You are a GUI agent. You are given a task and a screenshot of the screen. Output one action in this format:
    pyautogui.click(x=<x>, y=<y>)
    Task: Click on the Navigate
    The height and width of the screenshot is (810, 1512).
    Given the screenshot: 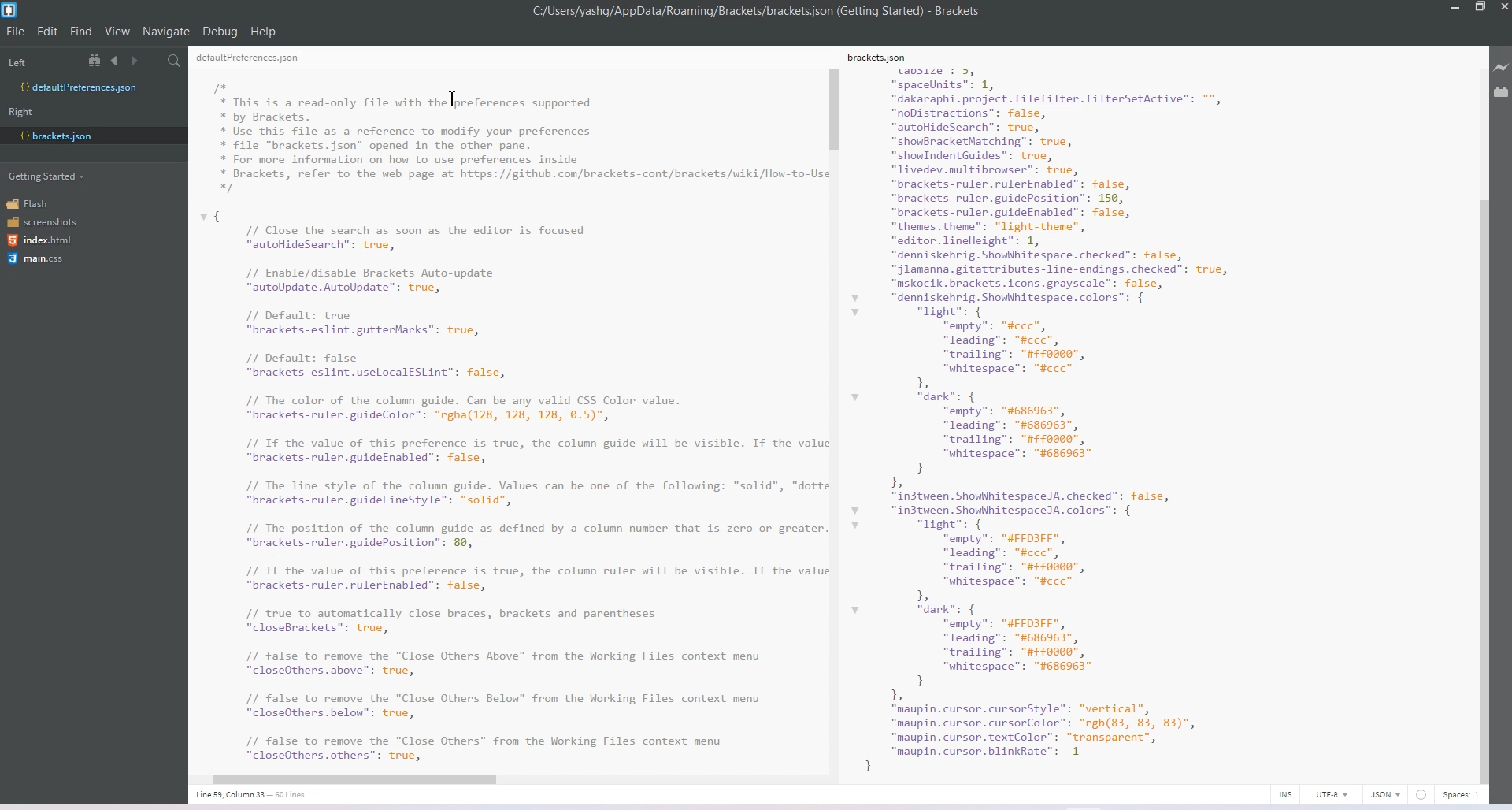 What is the action you would take?
    pyautogui.click(x=168, y=32)
    